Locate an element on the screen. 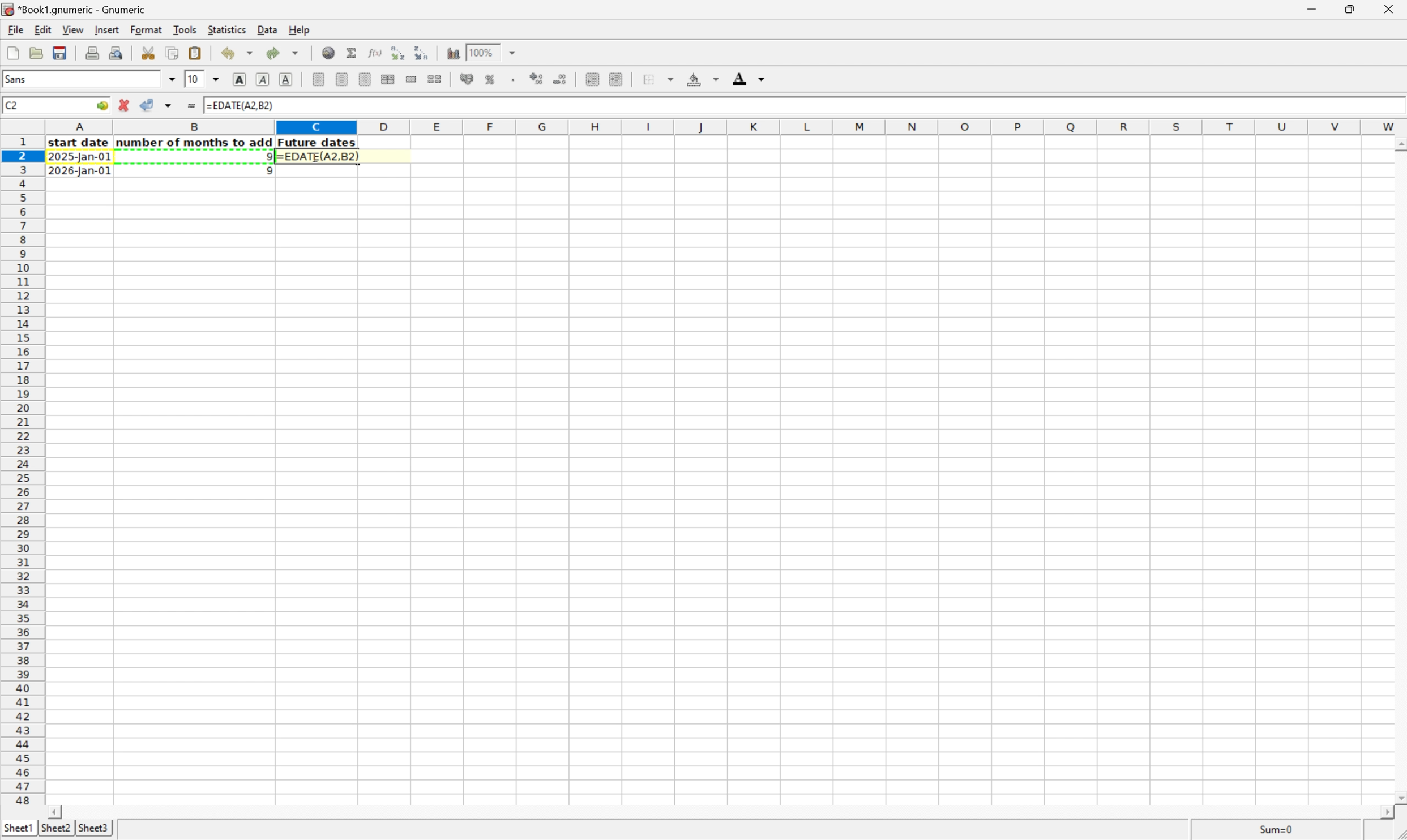  Sum in current cell is located at coordinates (352, 52).